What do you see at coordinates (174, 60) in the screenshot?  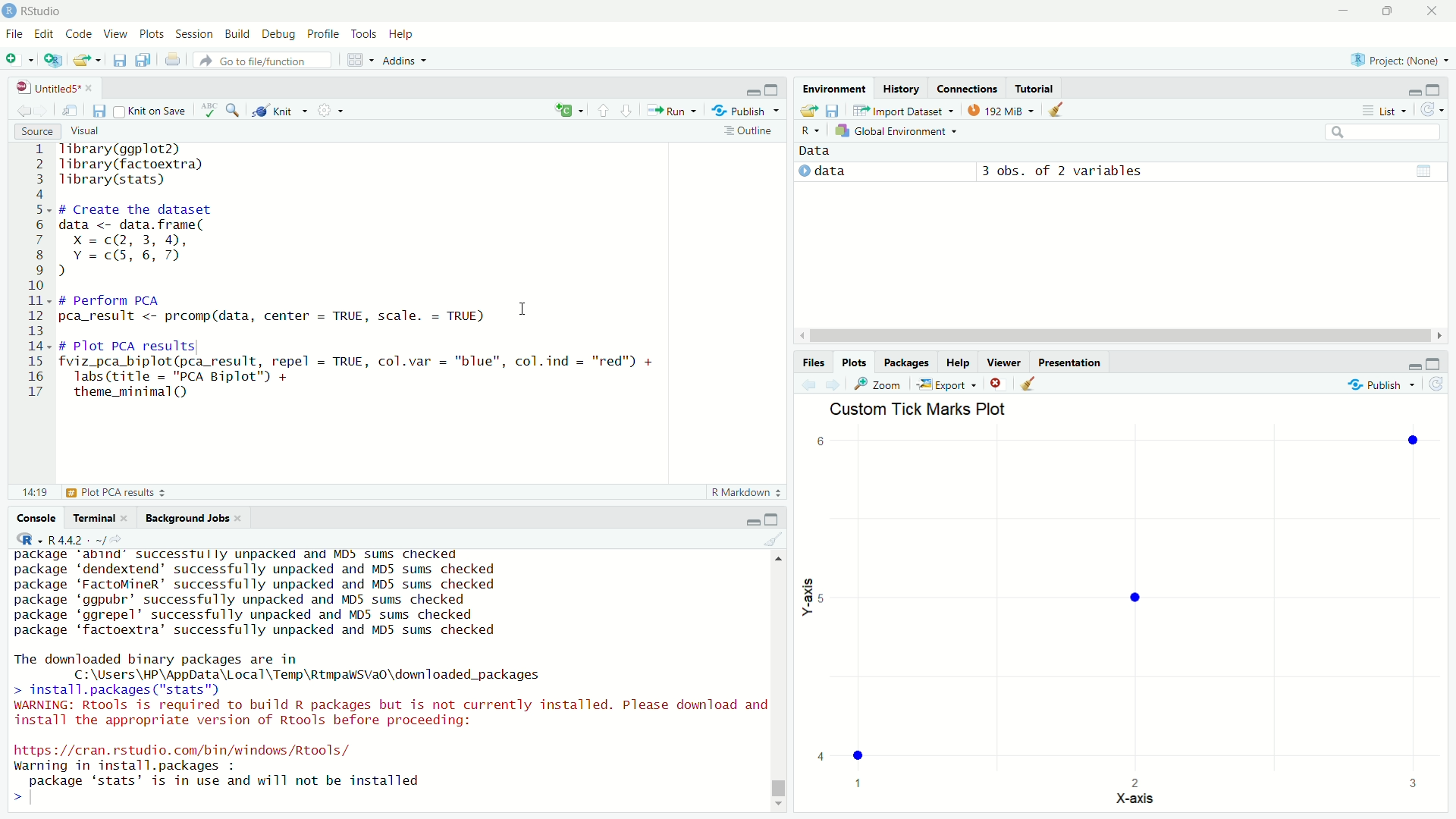 I see `print the current file` at bounding box center [174, 60].